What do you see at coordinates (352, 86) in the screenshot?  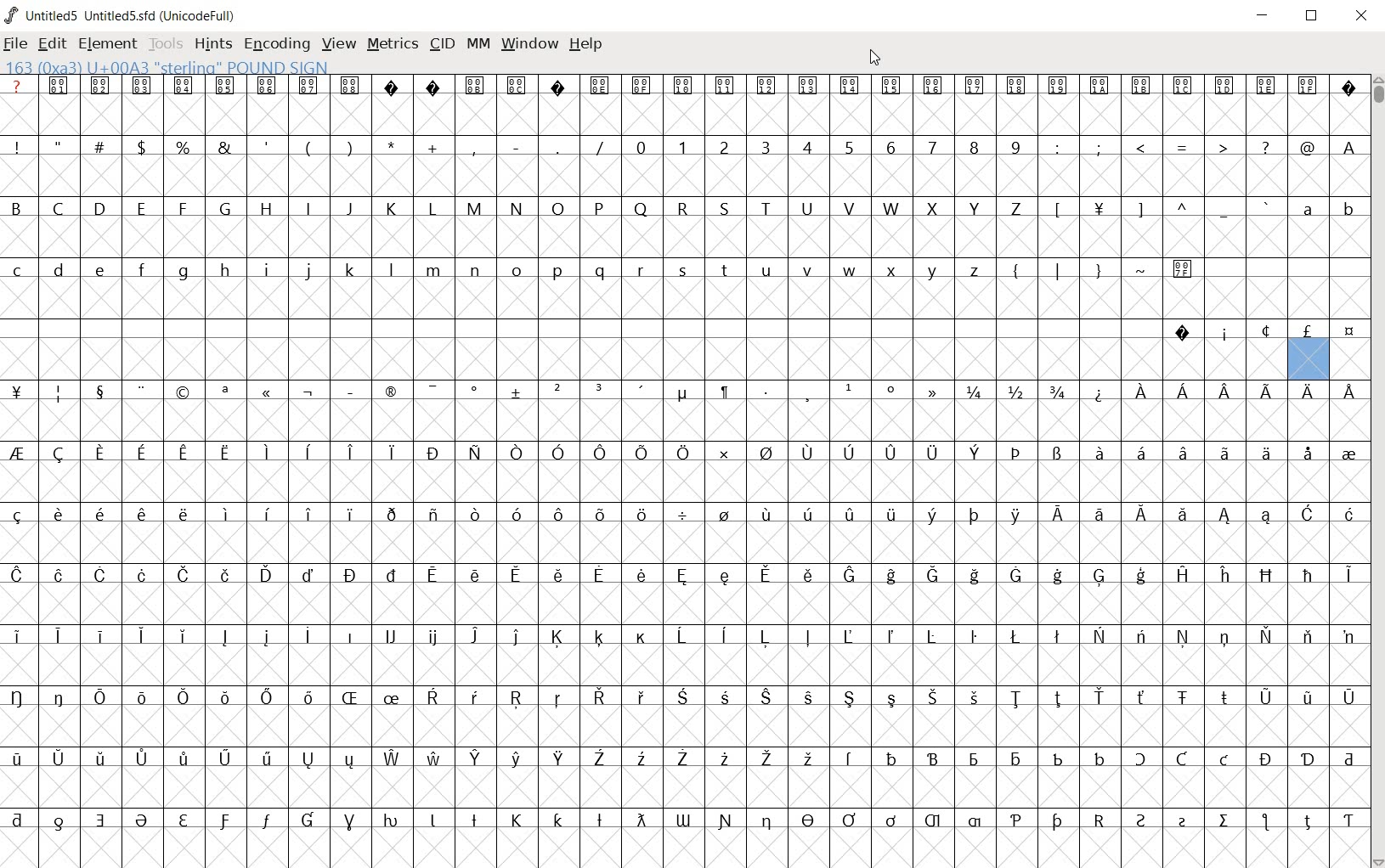 I see `Symbol` at bounding box center [352, 86].